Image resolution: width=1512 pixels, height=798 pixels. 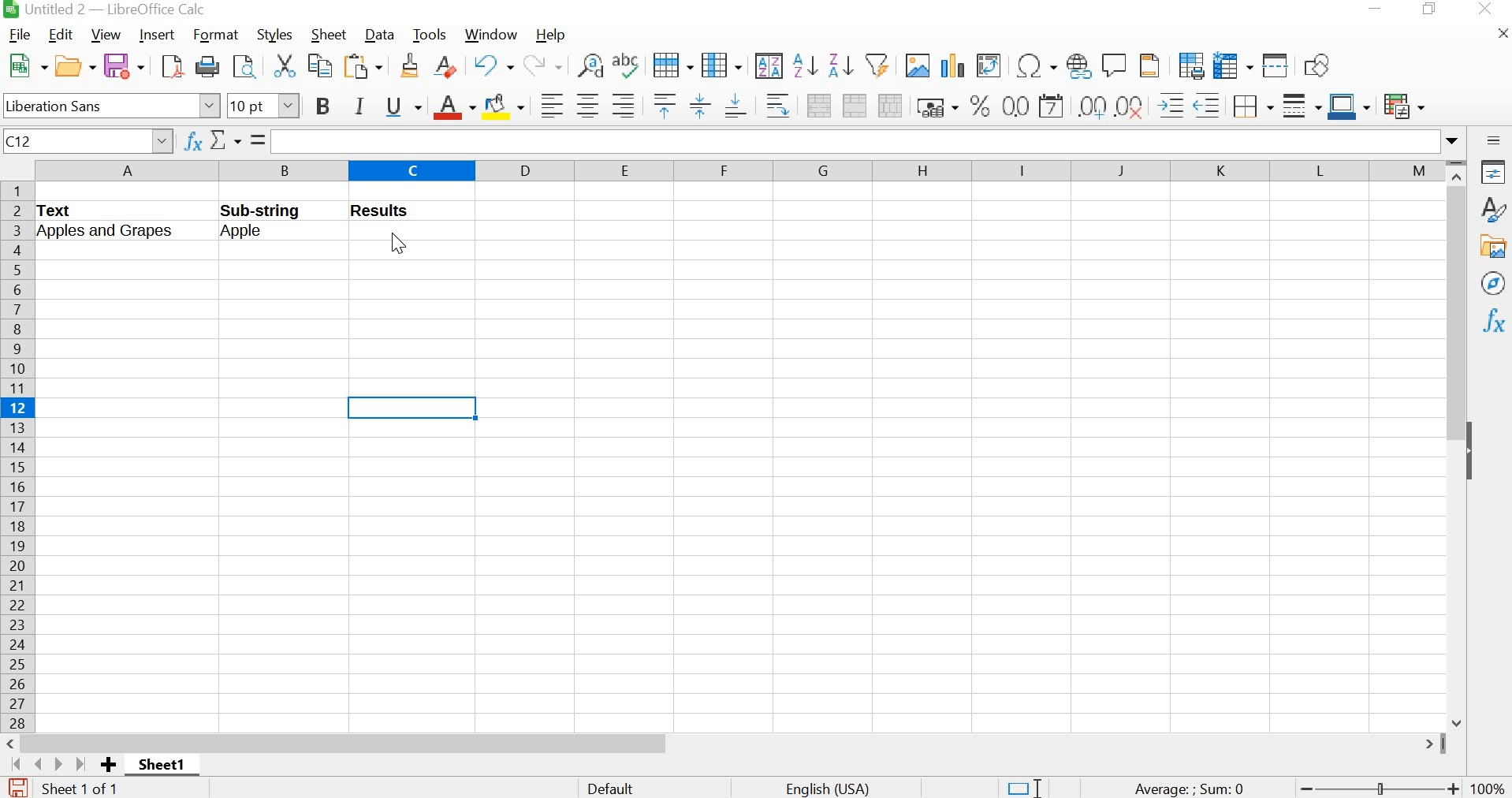 I want to click on copy, so click(x=318, y=65).